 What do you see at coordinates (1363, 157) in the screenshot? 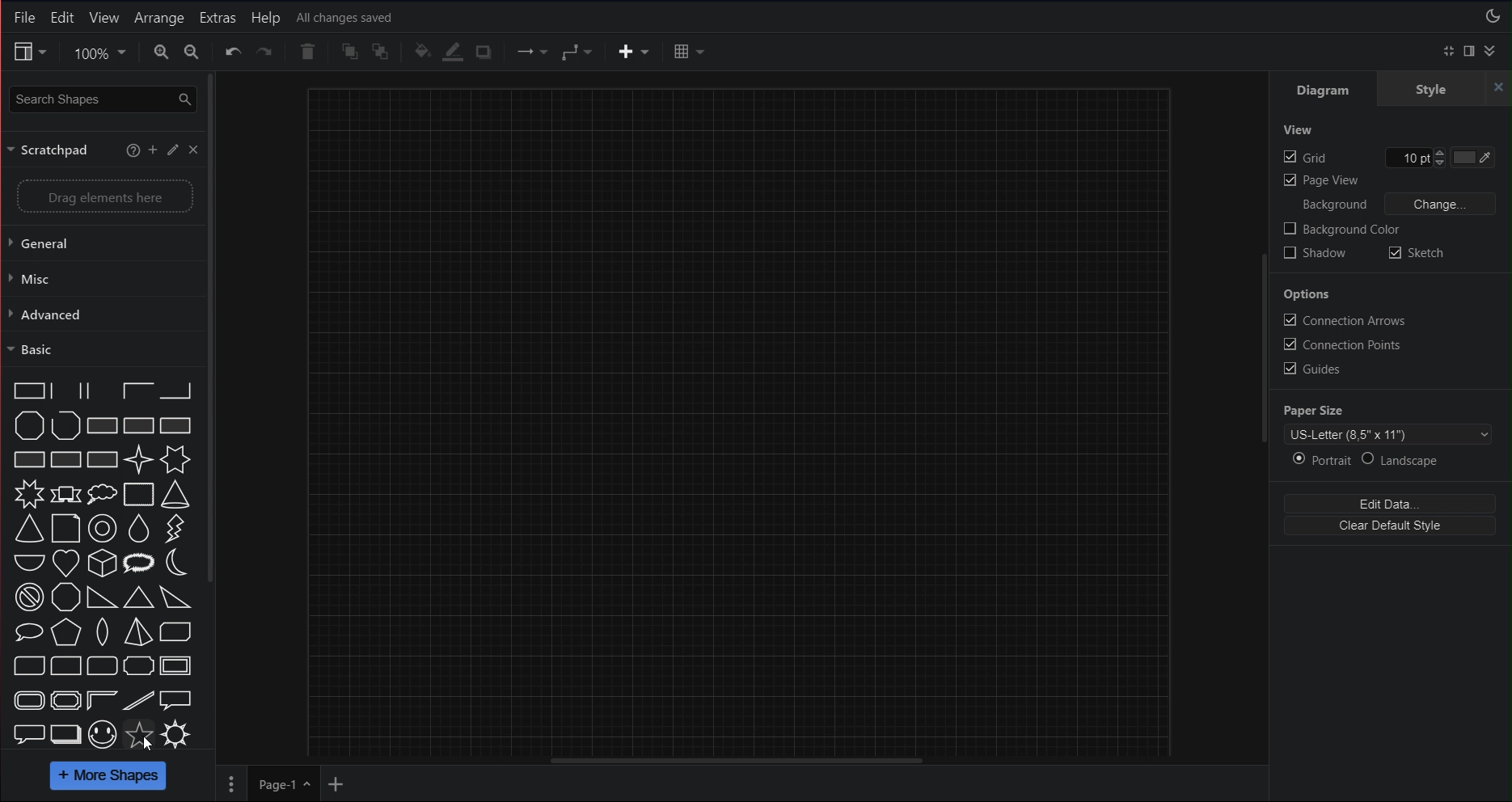
I see `Grid` at bounding box center [1363, 157].